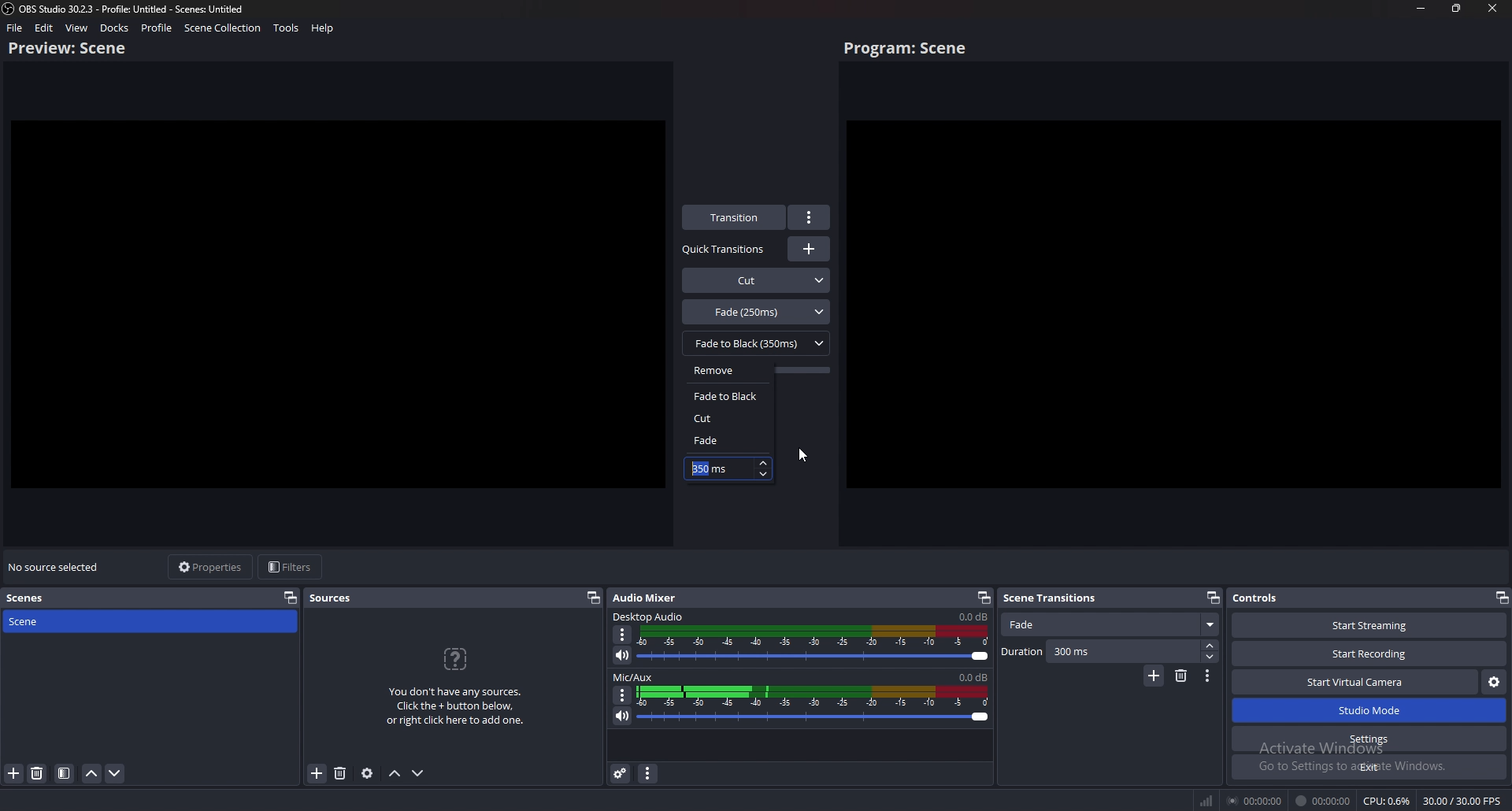 This screenshot has width=1512, height=811. What do you see at coordinates (709, 469) in the screenshot?
I see `fade to black duration` at bounding box center [709, 469].